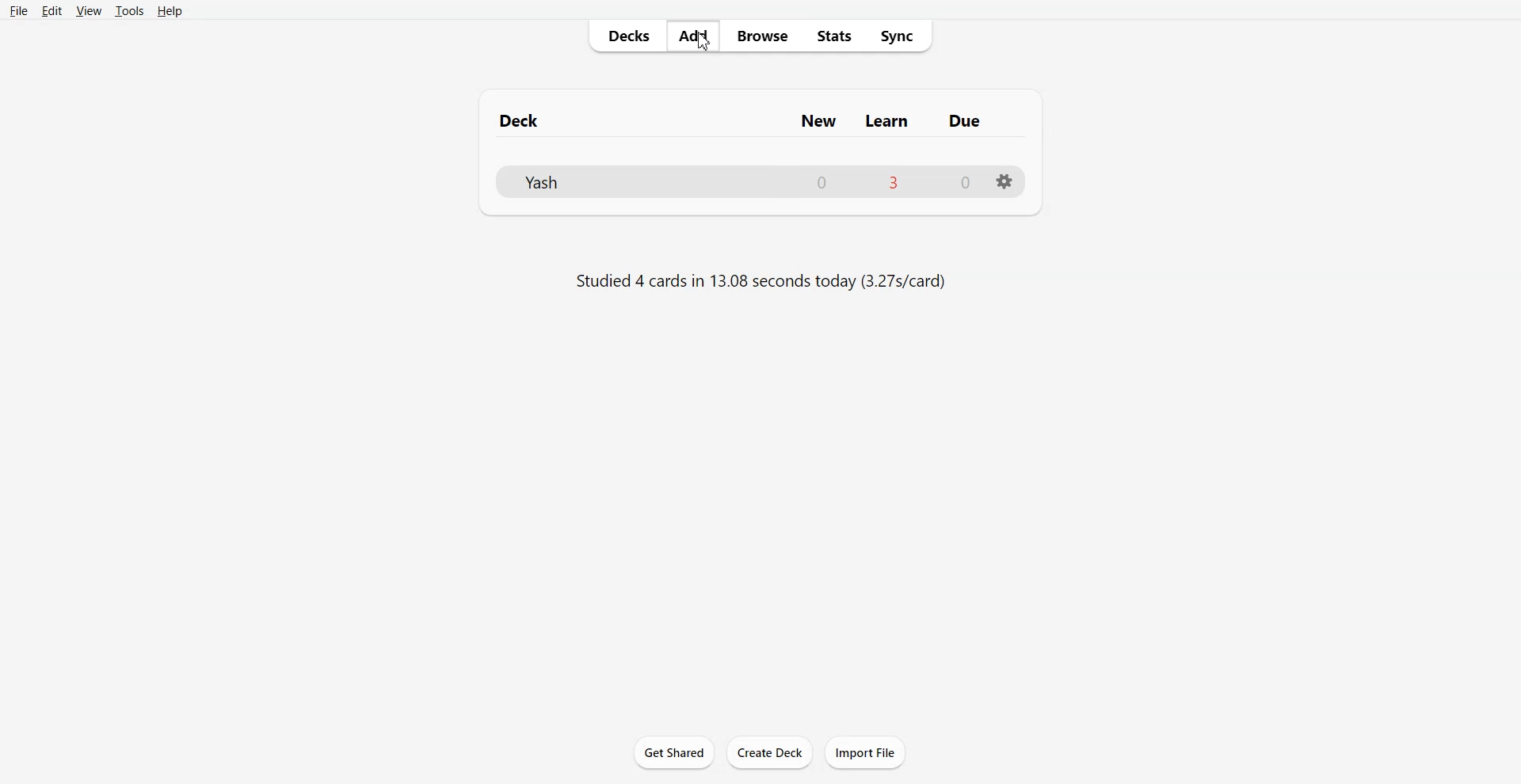 The width and height of the screenshot is (1521, 784). Describe the element at coordinates (170, 12) in the screenshot. I see `Help` at that location.